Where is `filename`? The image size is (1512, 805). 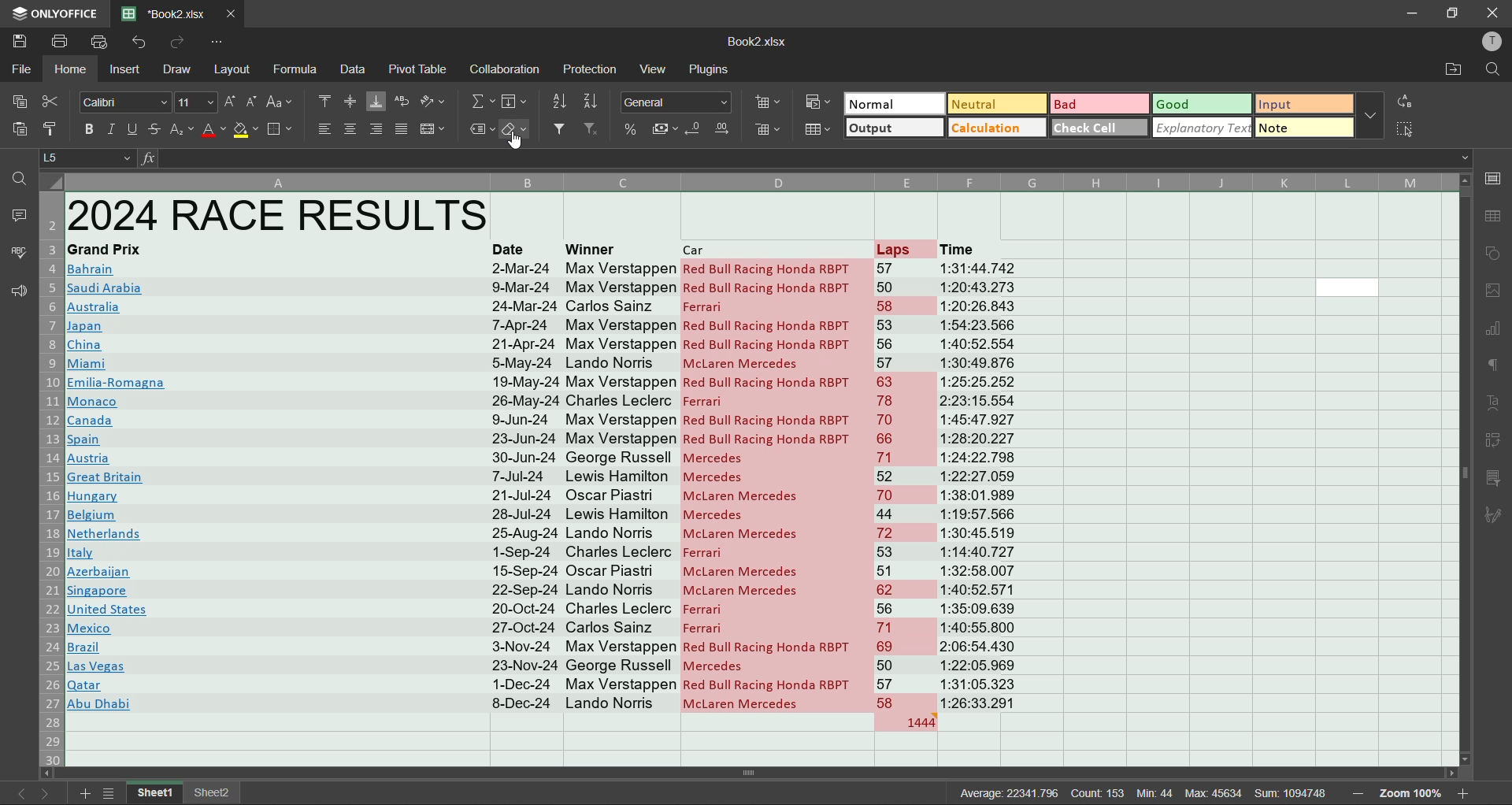 filename is located at coordinates (169, 13).